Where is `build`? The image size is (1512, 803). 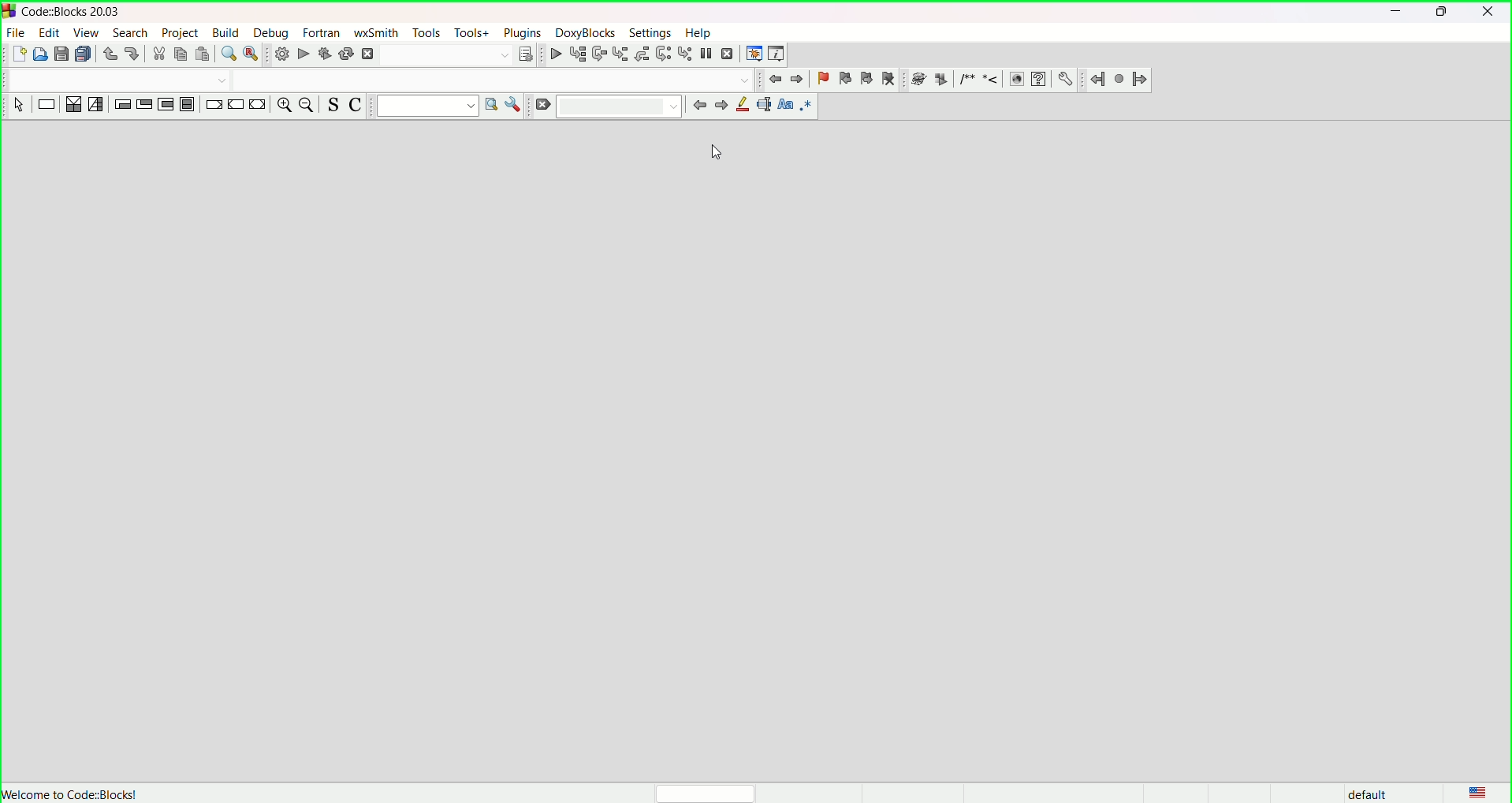 build is located at coordinates (227, 32).